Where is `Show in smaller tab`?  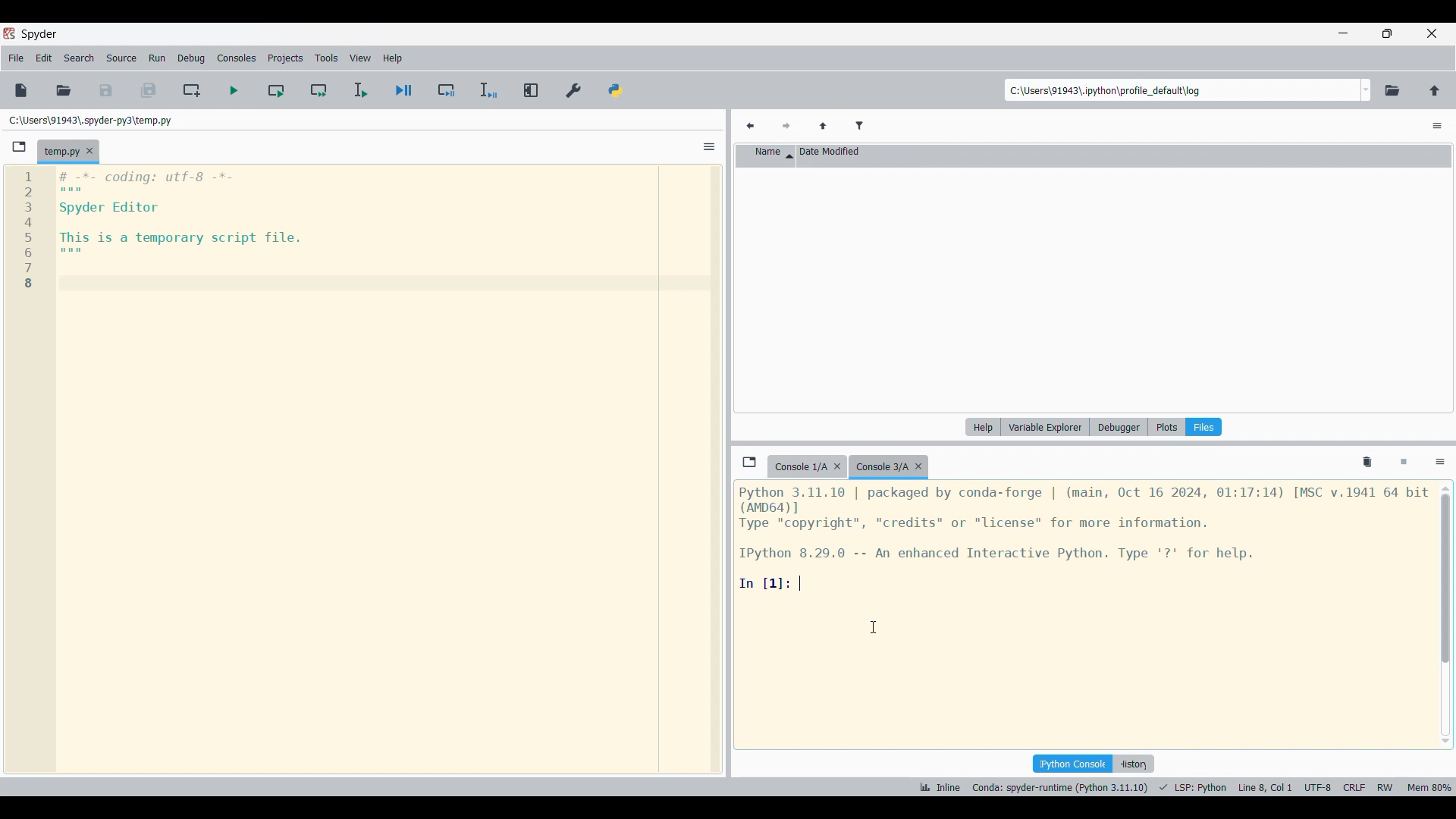 Show in smaller tab is located at coordinates (1387, 33).